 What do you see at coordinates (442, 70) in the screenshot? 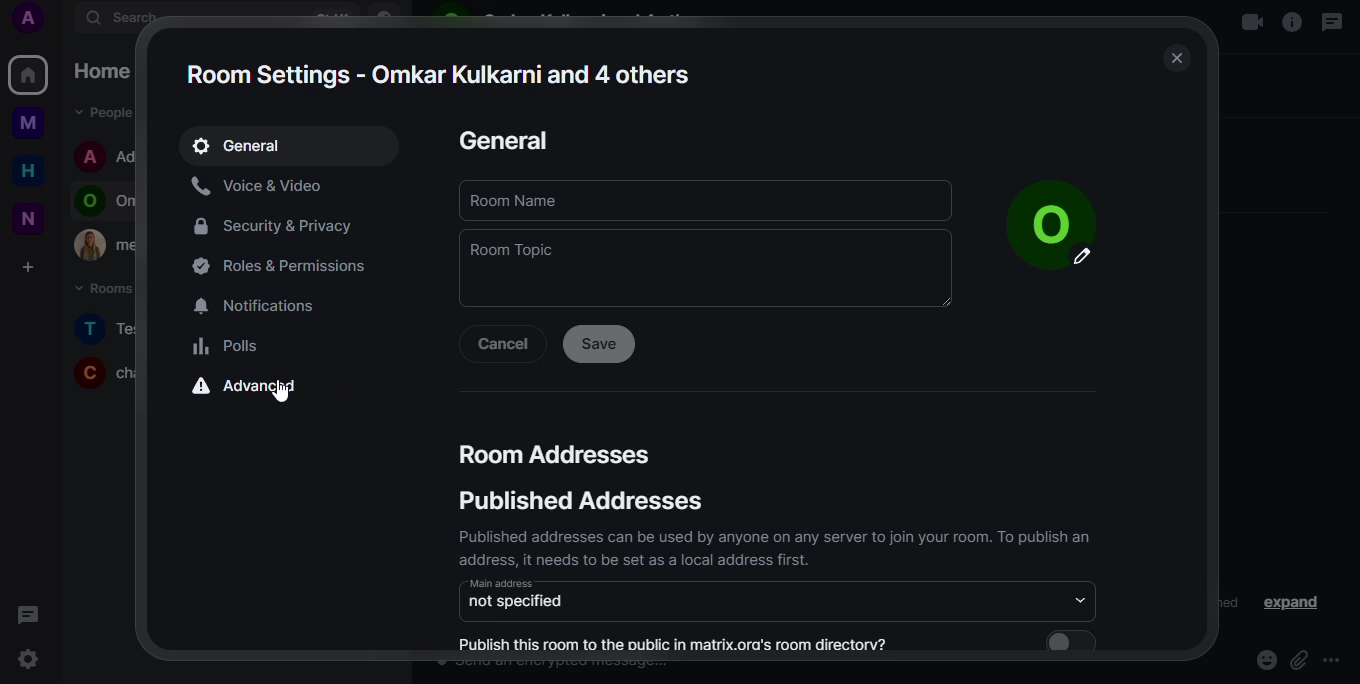
I see `room settings` at bounding box center [442, 70].